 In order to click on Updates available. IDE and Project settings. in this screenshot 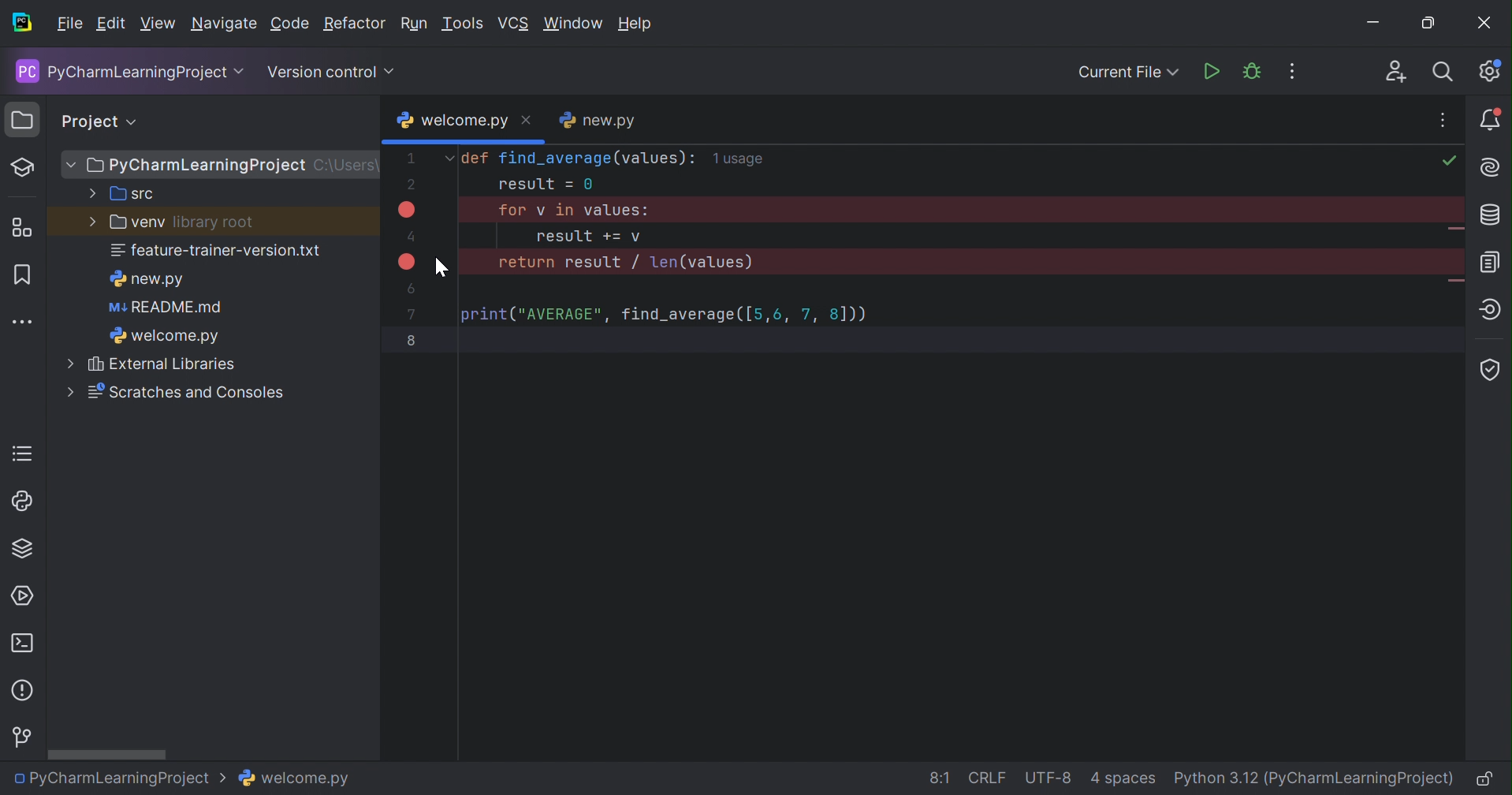, I will do `click(1492, 72)`.